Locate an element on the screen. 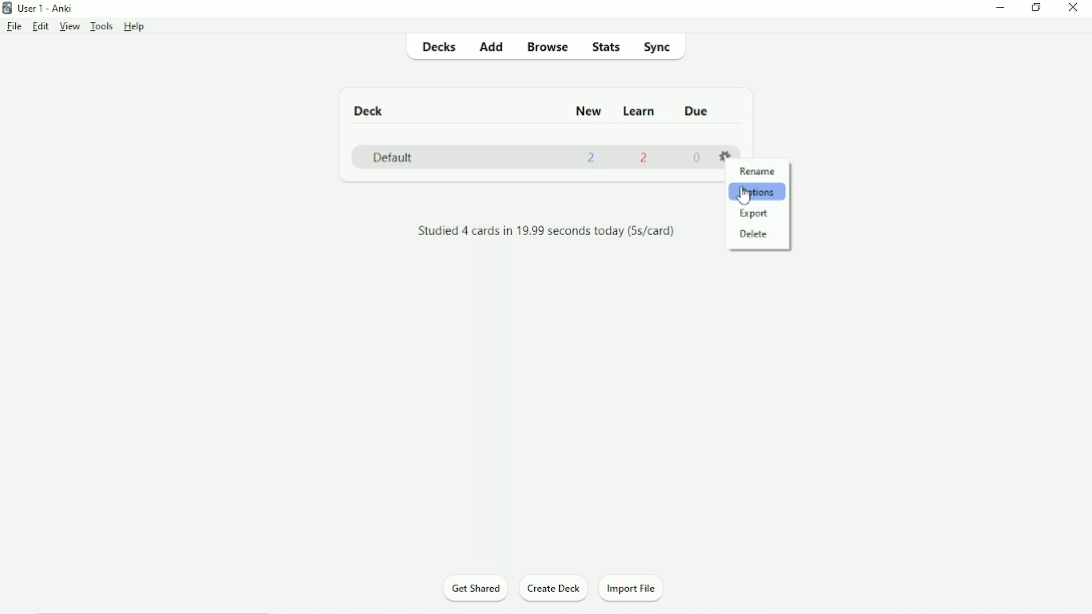 The width and height of the screenshot is (1092, 614). Studied 4 cards in 19.99 seconds today (5s/card) is located at coordinates (548, 231).